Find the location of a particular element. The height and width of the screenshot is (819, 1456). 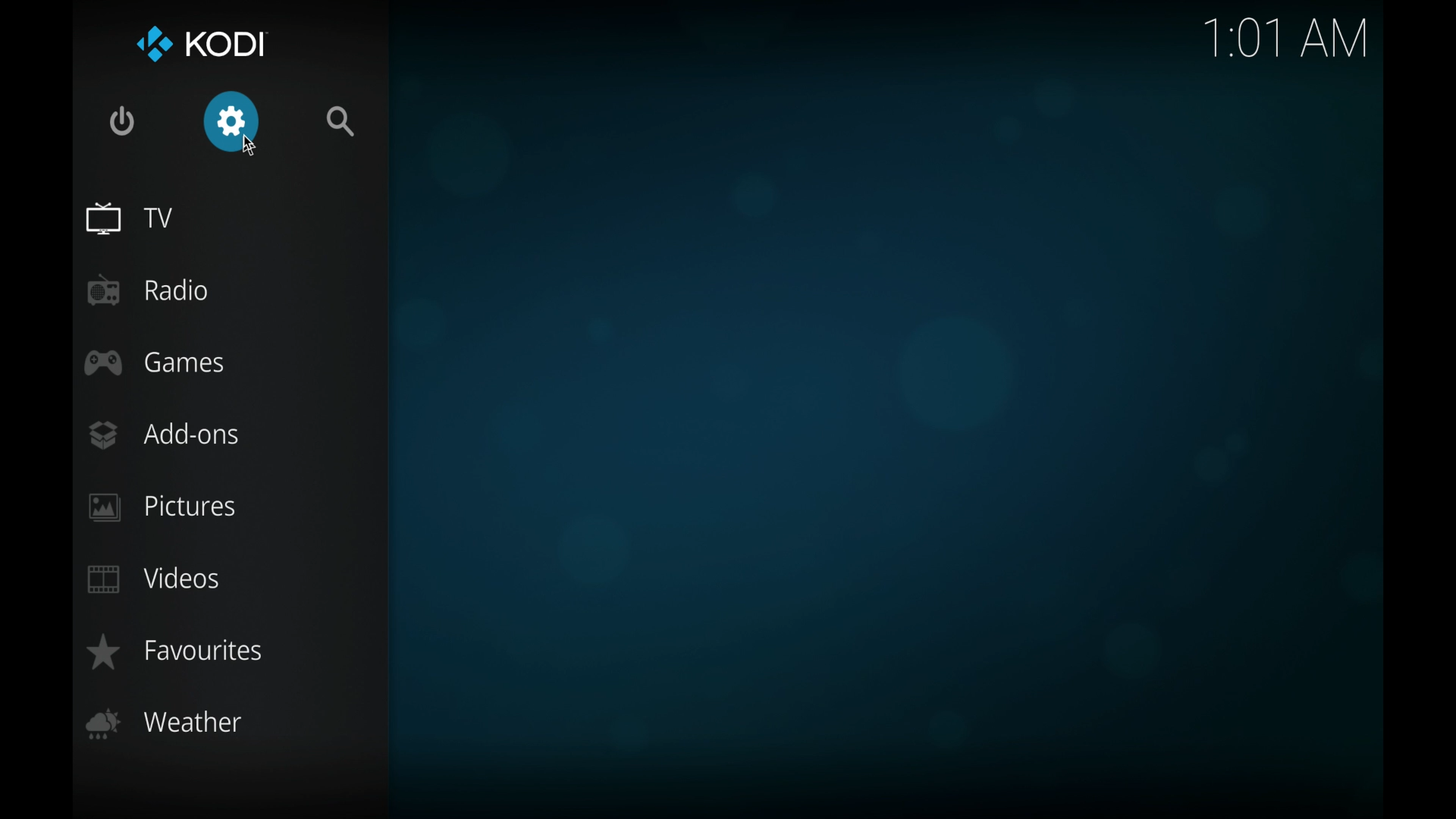

settings is located at coordinates (232, 122).